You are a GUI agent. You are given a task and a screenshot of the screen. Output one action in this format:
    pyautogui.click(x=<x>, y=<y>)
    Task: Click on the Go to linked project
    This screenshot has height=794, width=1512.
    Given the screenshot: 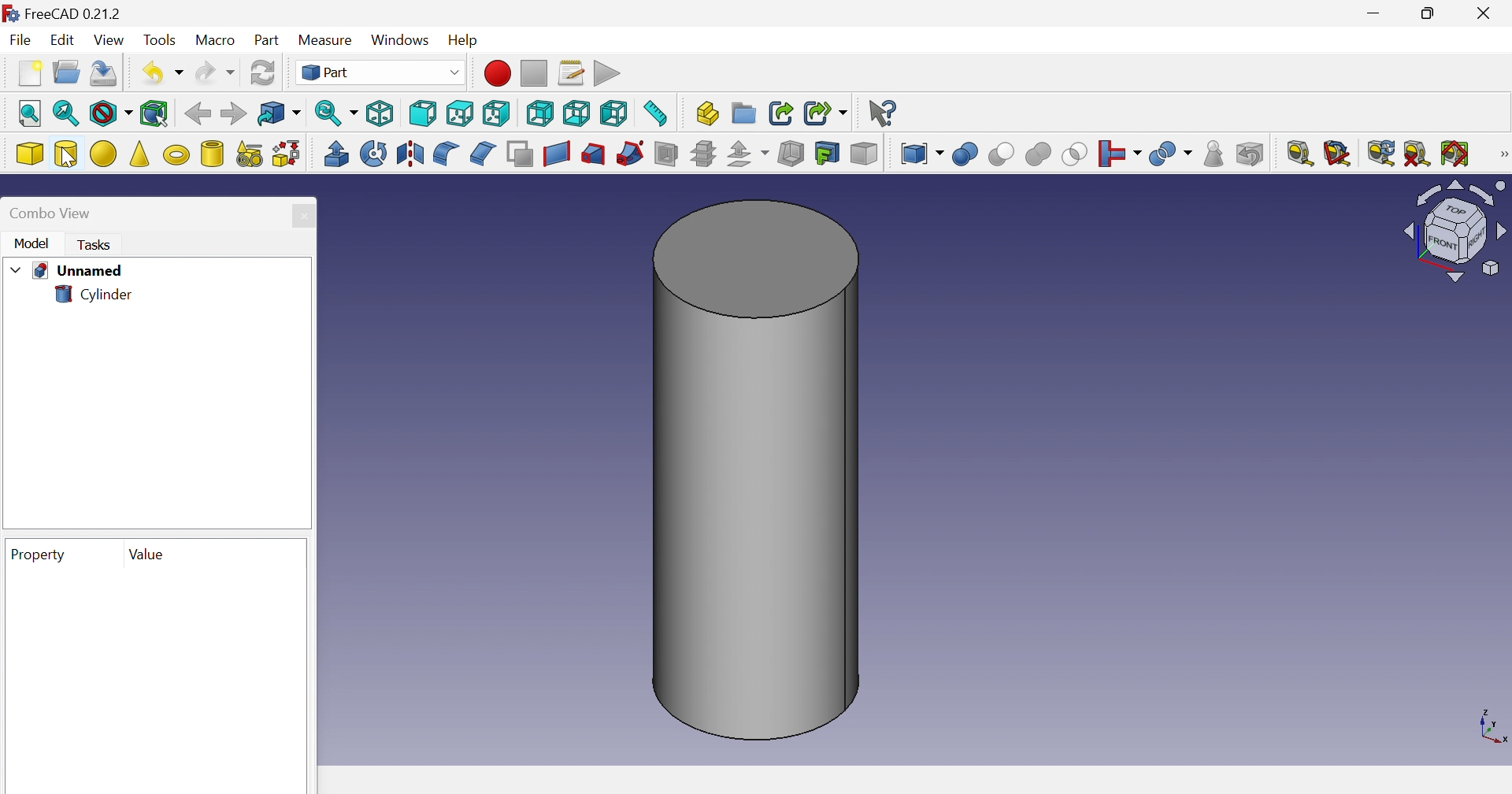 What is the action you would take?
    pyautogui.click(x=278, y=113)
    